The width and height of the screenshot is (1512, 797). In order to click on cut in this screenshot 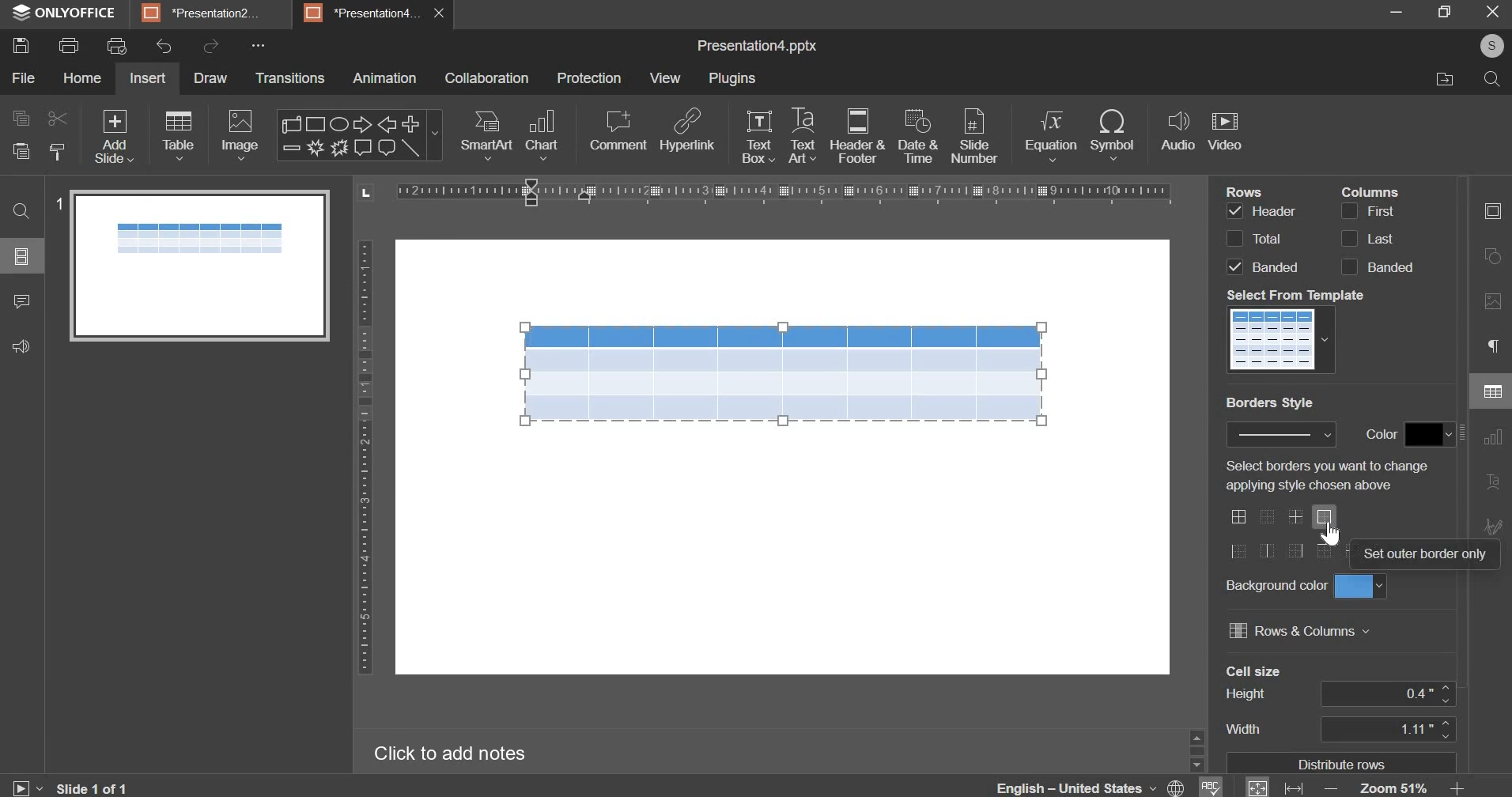, I will do `click(55, 119)`.